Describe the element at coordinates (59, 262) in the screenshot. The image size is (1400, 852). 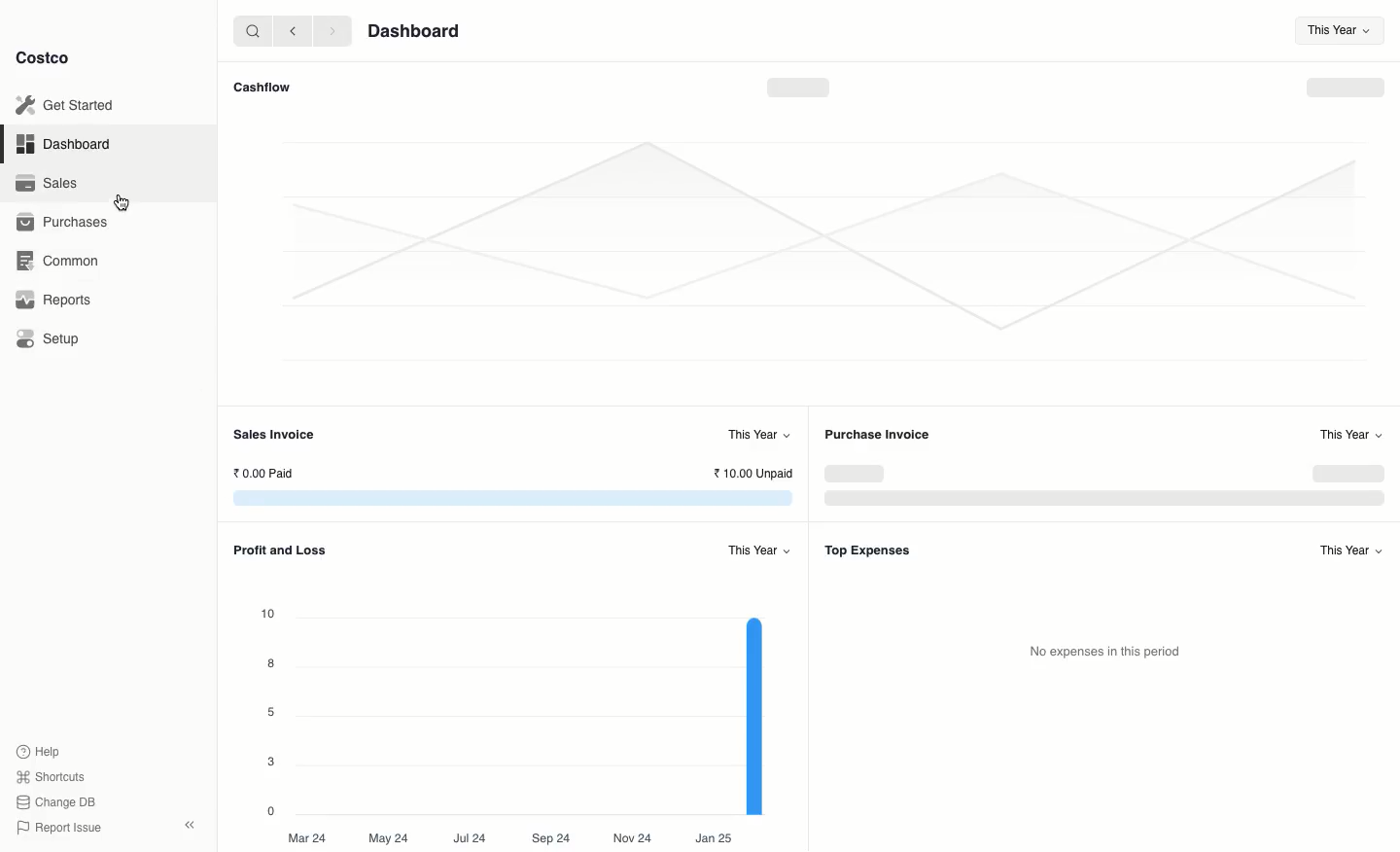
I see `Common` at that location.